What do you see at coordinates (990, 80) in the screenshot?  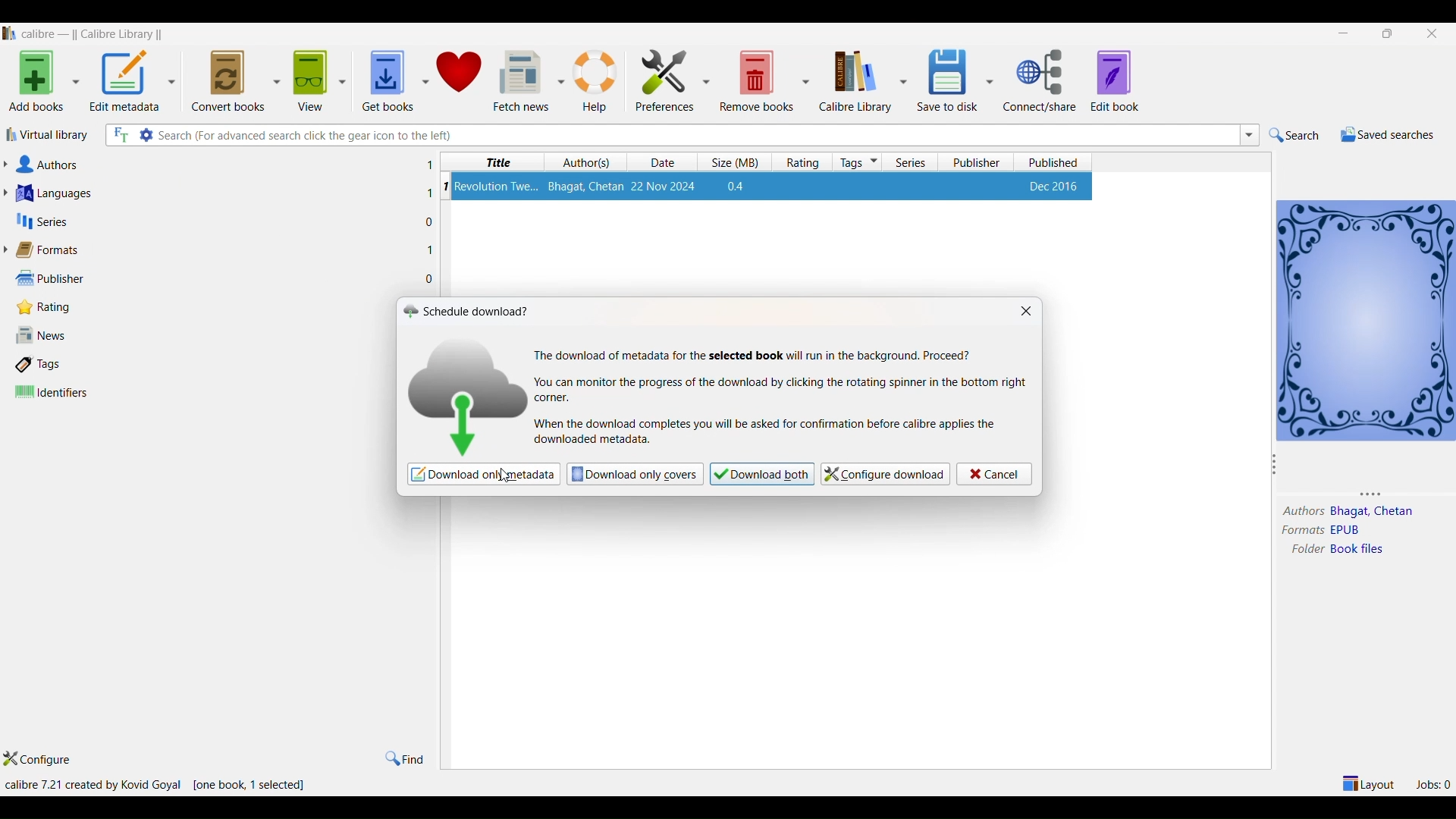 I see `save to disc options dropdown button` at bounding box center [990, 80].